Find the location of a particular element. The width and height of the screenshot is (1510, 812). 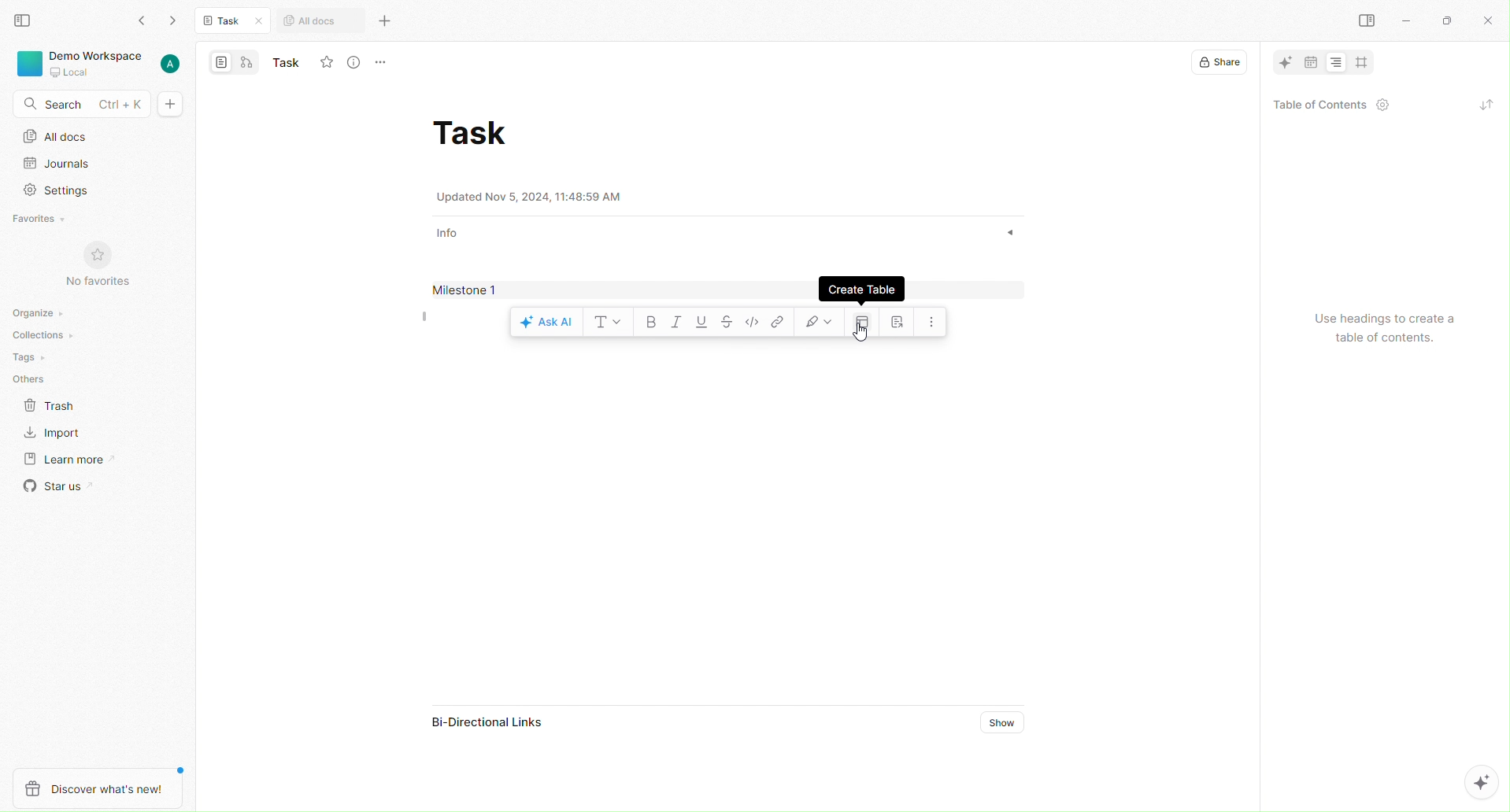

highlight is located at coordinates (818, 323).